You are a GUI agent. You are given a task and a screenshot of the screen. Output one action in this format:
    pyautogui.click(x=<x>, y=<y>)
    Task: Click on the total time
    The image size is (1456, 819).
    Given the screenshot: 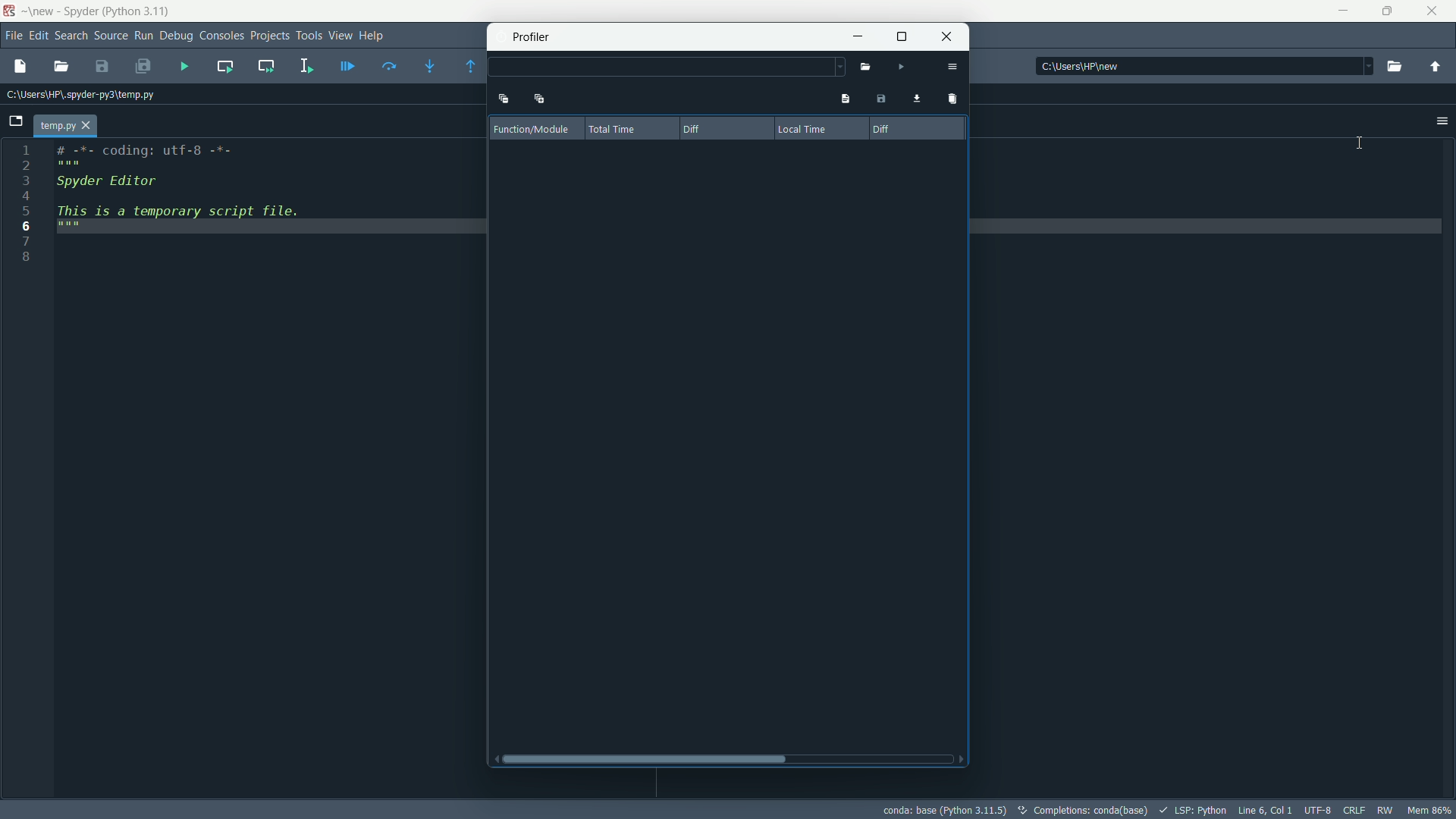 What is the action you would take?
    pyautogui.click(x=611, y=129)
    